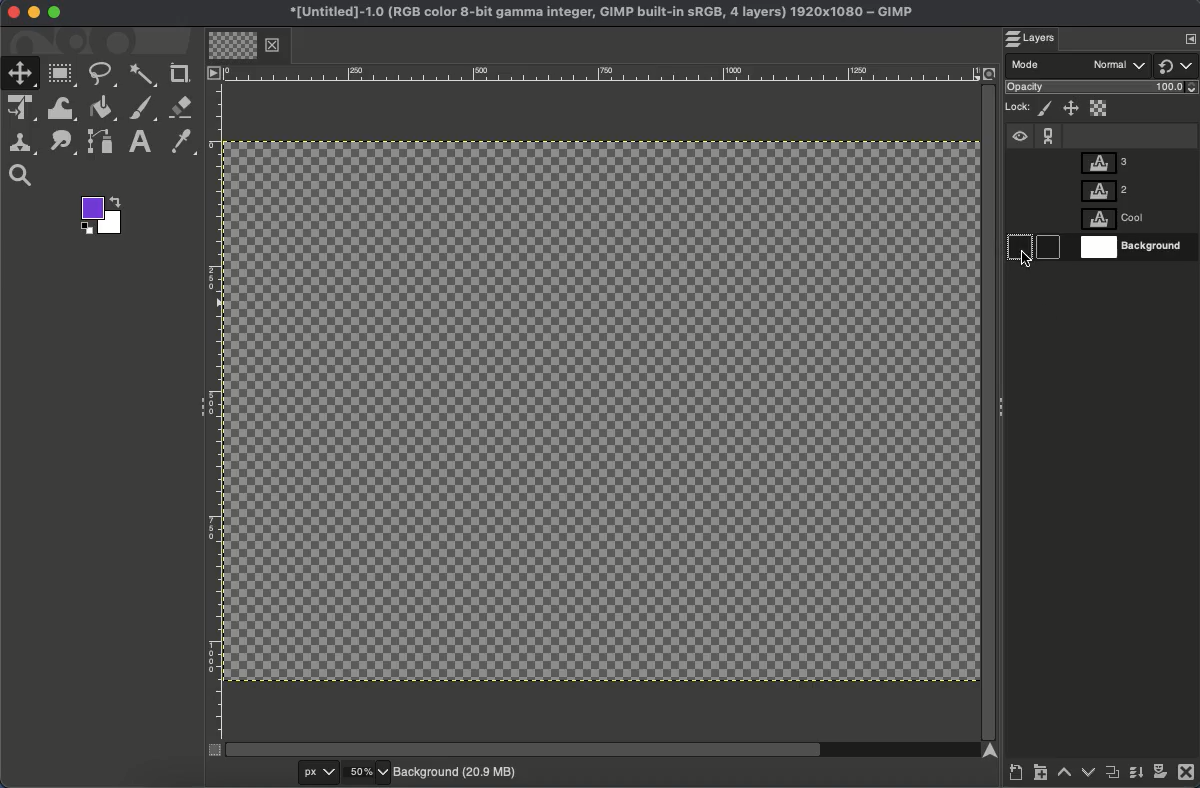 Image resolution: width=1200 pixels, height=788 pixels. What do you see at coordinates (303, 772) in the screenshot?
I see `px` at bounding box center [303, 772].